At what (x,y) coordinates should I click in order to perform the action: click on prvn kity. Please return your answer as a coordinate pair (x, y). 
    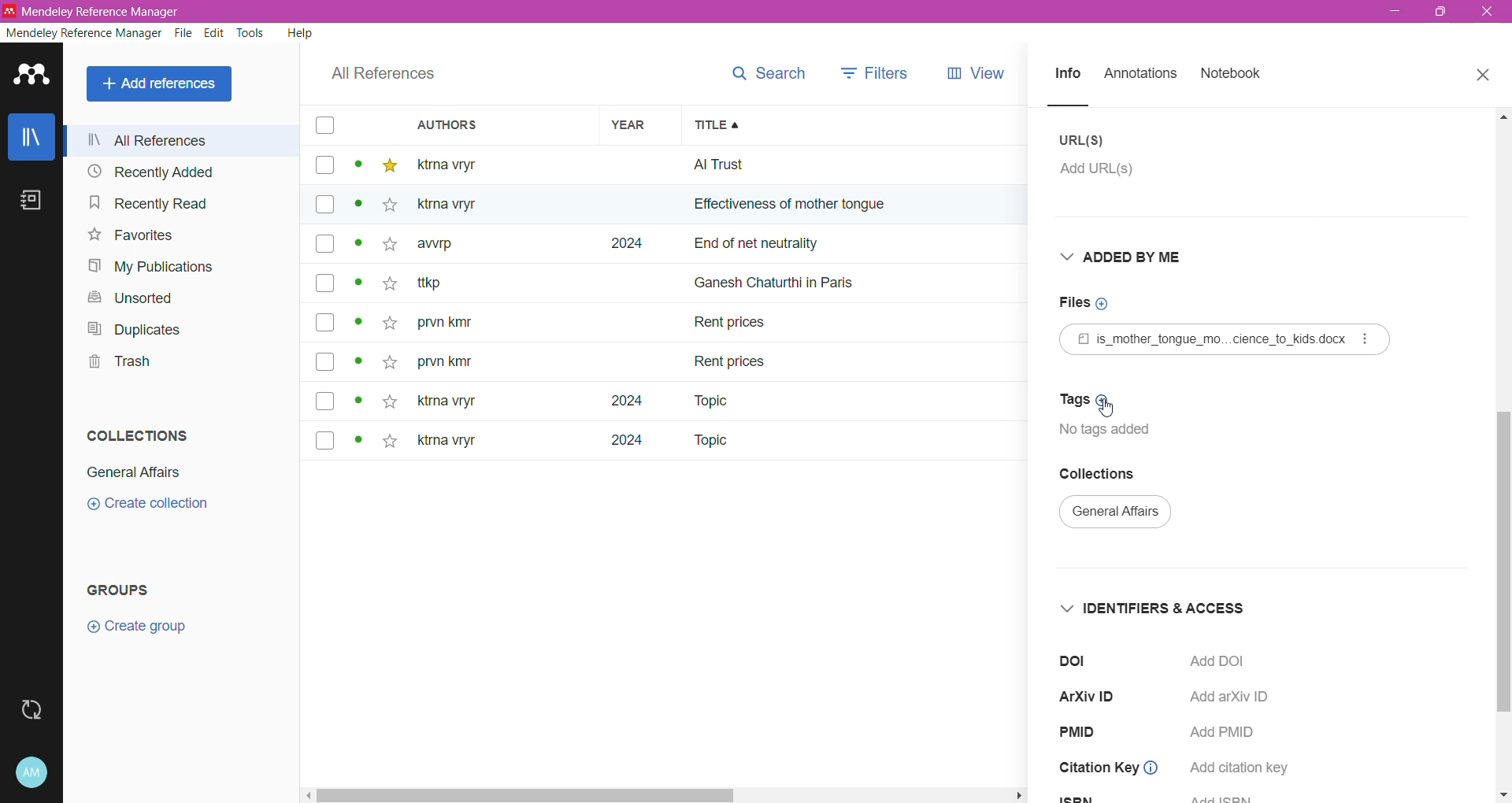
    Looking at the image, I should click on (454, 324).